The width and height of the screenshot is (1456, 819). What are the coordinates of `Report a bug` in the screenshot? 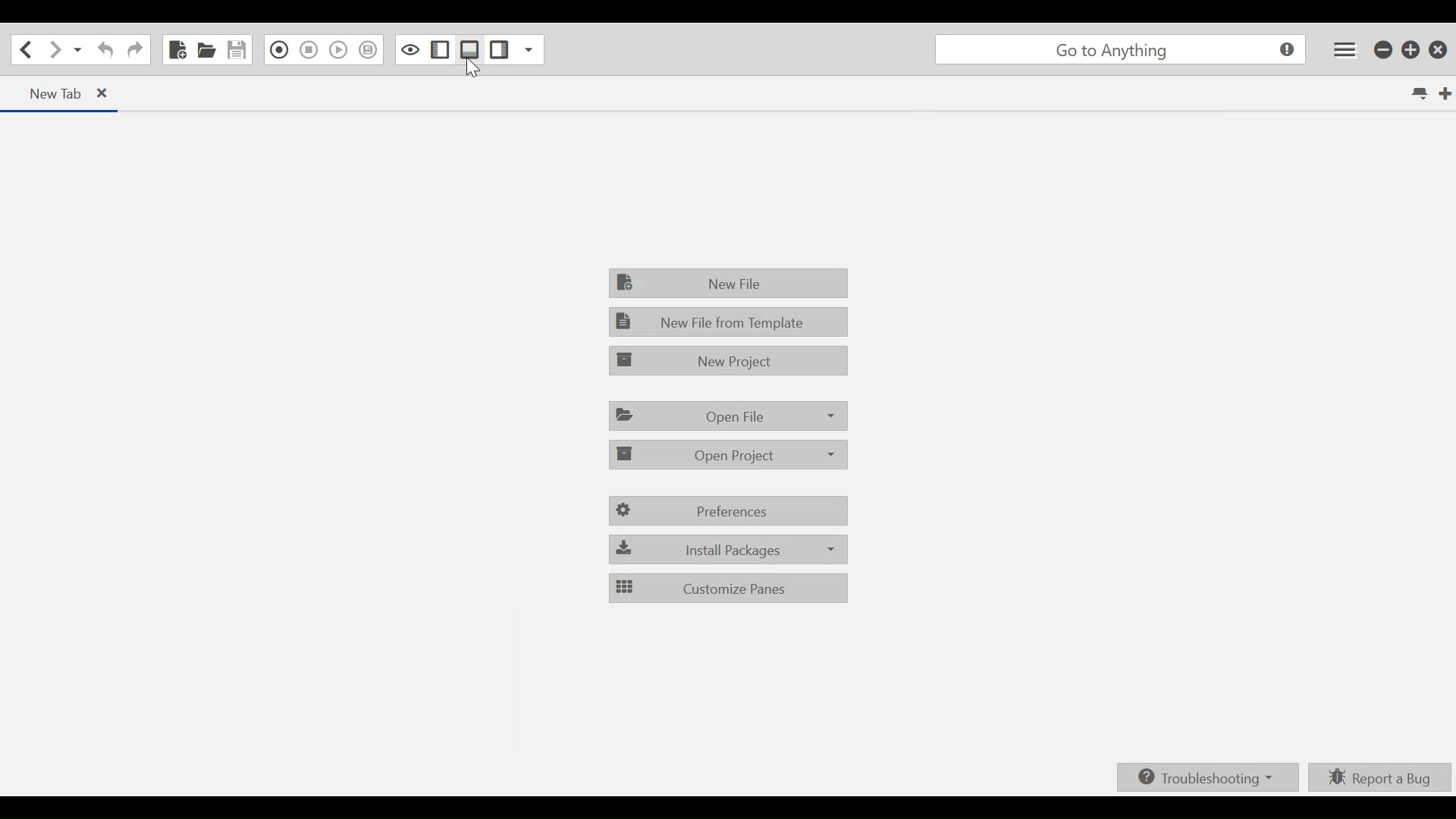 It's located at (1378, 777).